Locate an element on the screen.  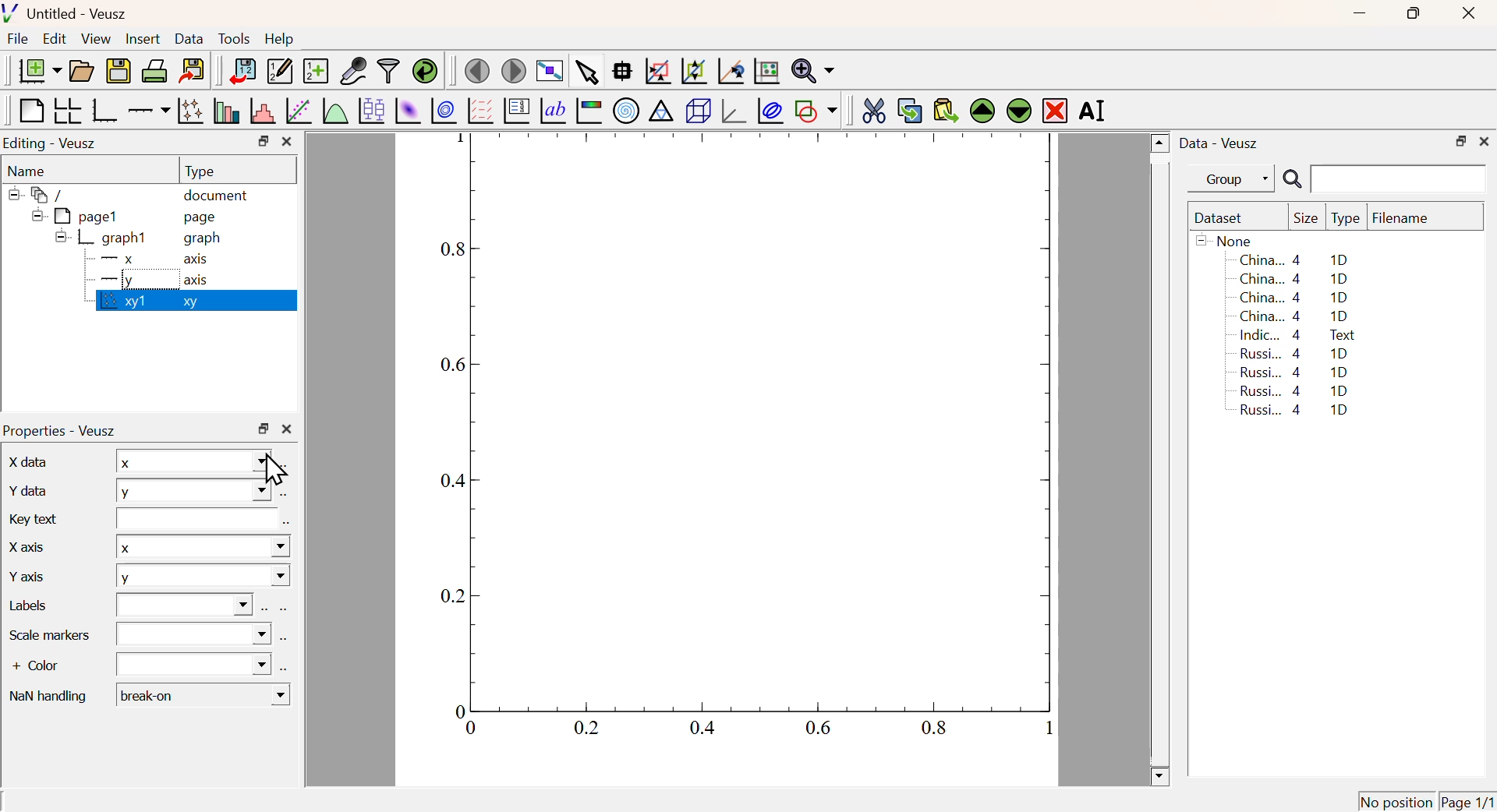
/ is located at coordinates (39, 195).